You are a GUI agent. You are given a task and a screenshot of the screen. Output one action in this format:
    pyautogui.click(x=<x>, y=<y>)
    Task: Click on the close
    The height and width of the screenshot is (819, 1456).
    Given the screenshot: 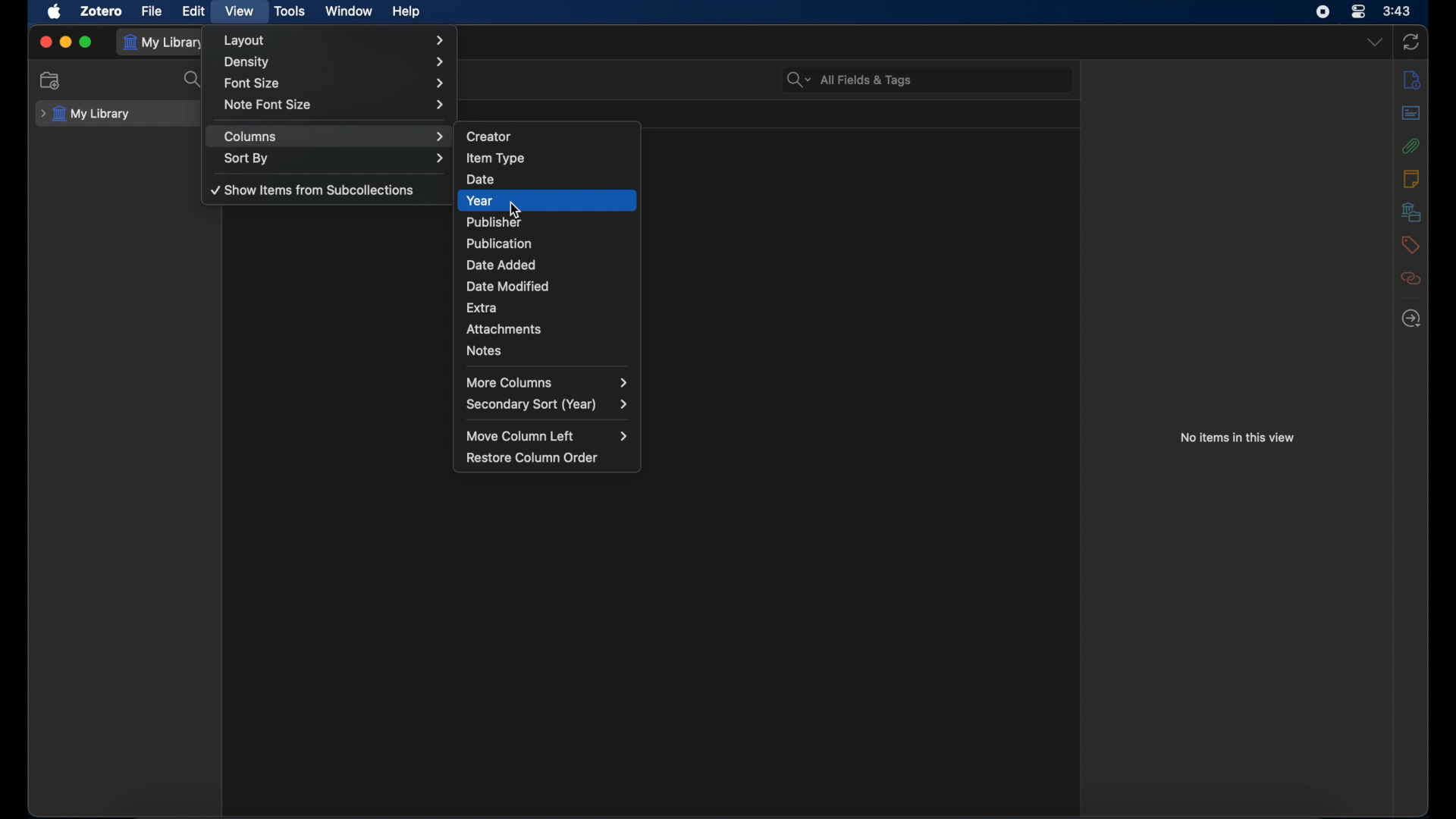 What is the action you would take?
    pyautogui.click(x=46, y=43)
    